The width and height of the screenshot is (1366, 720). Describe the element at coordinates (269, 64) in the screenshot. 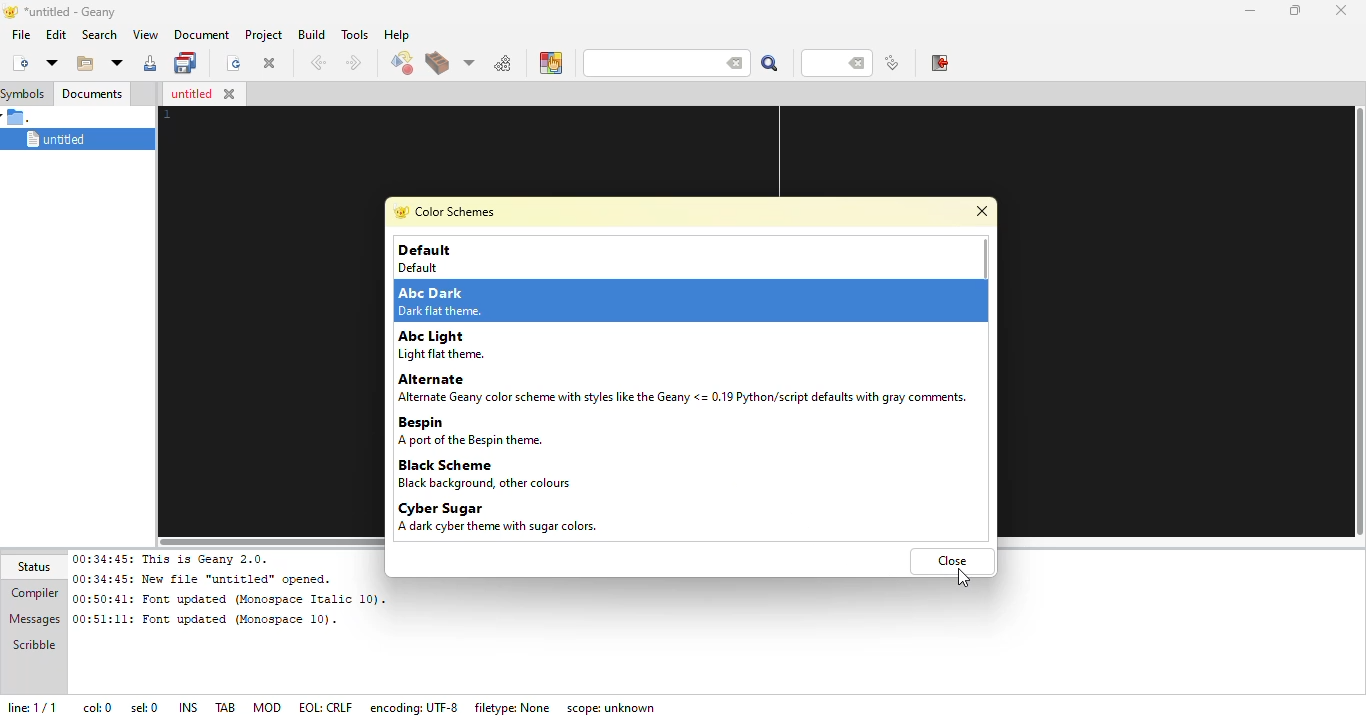

I see `close` at that location.